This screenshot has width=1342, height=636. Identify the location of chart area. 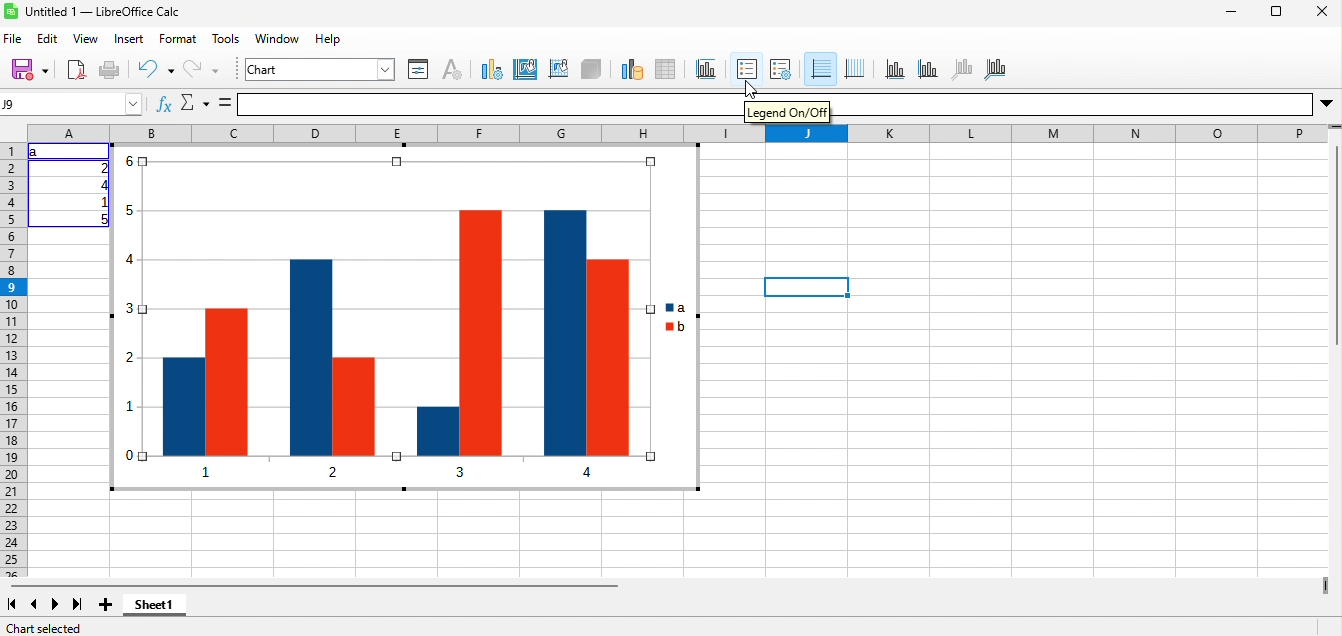
(526, 70).